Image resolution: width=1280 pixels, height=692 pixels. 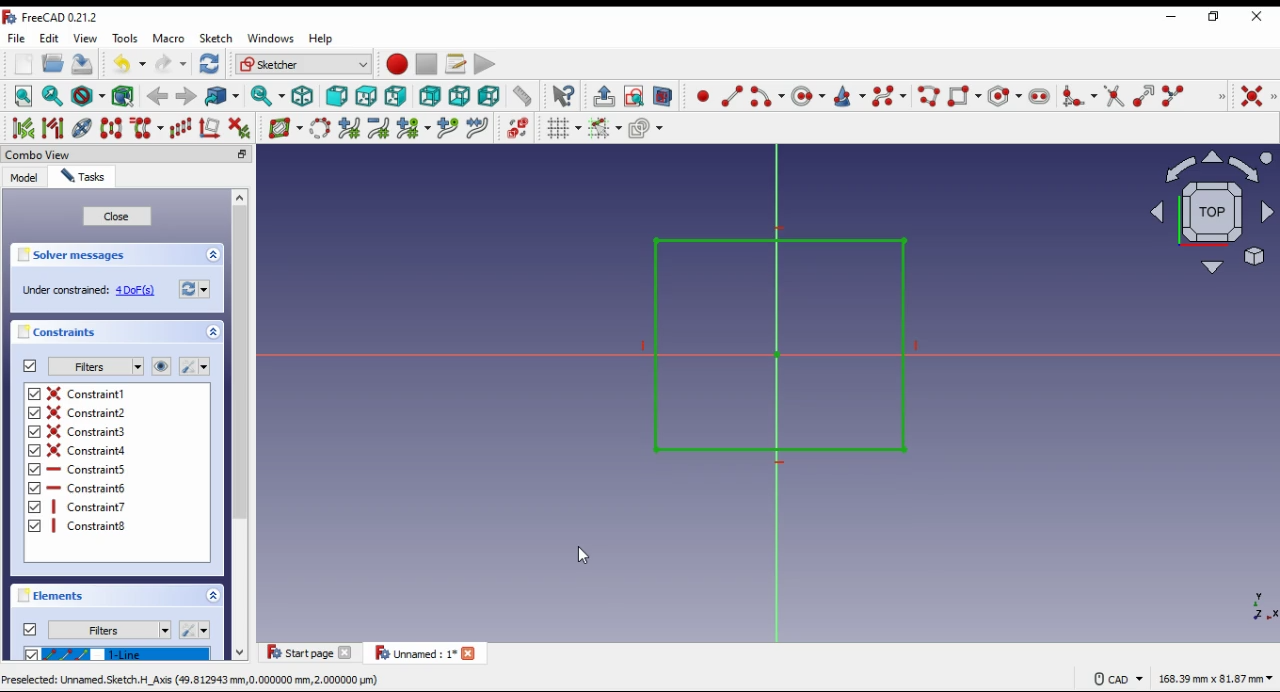 I want to click on windows, so click(x=270, y=38).